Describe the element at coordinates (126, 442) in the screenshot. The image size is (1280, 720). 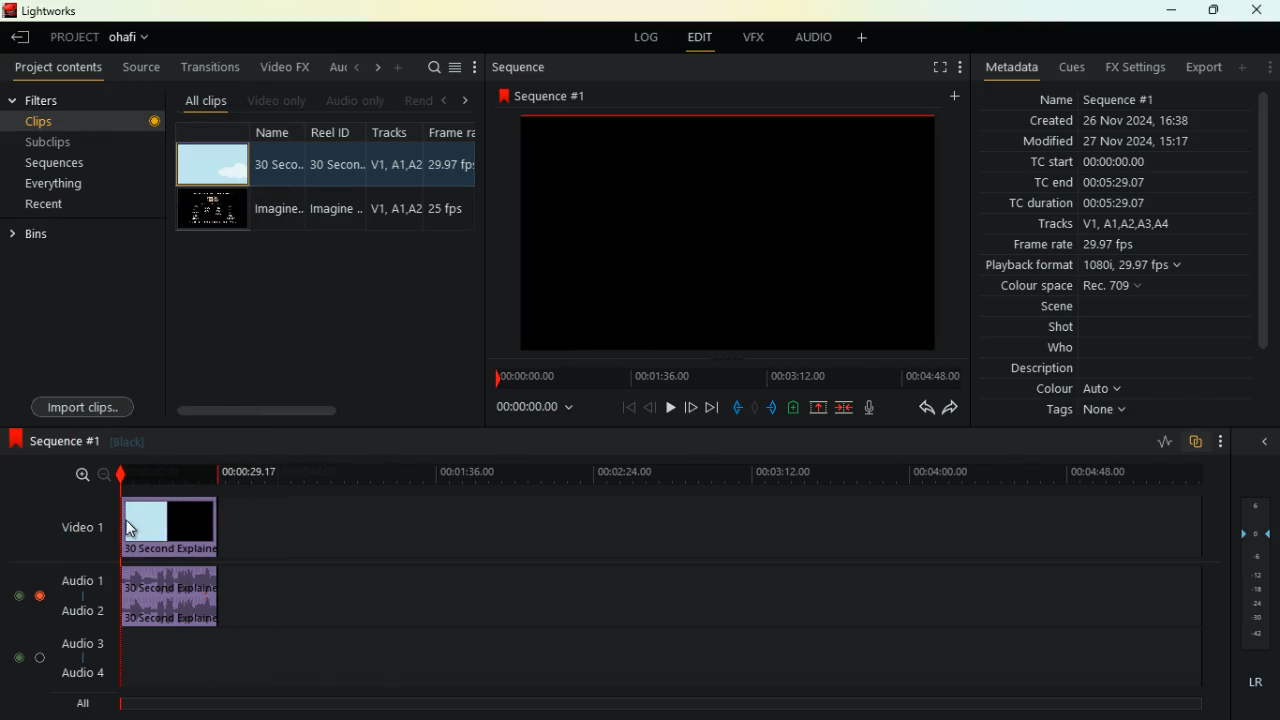
I see `black` at that location.